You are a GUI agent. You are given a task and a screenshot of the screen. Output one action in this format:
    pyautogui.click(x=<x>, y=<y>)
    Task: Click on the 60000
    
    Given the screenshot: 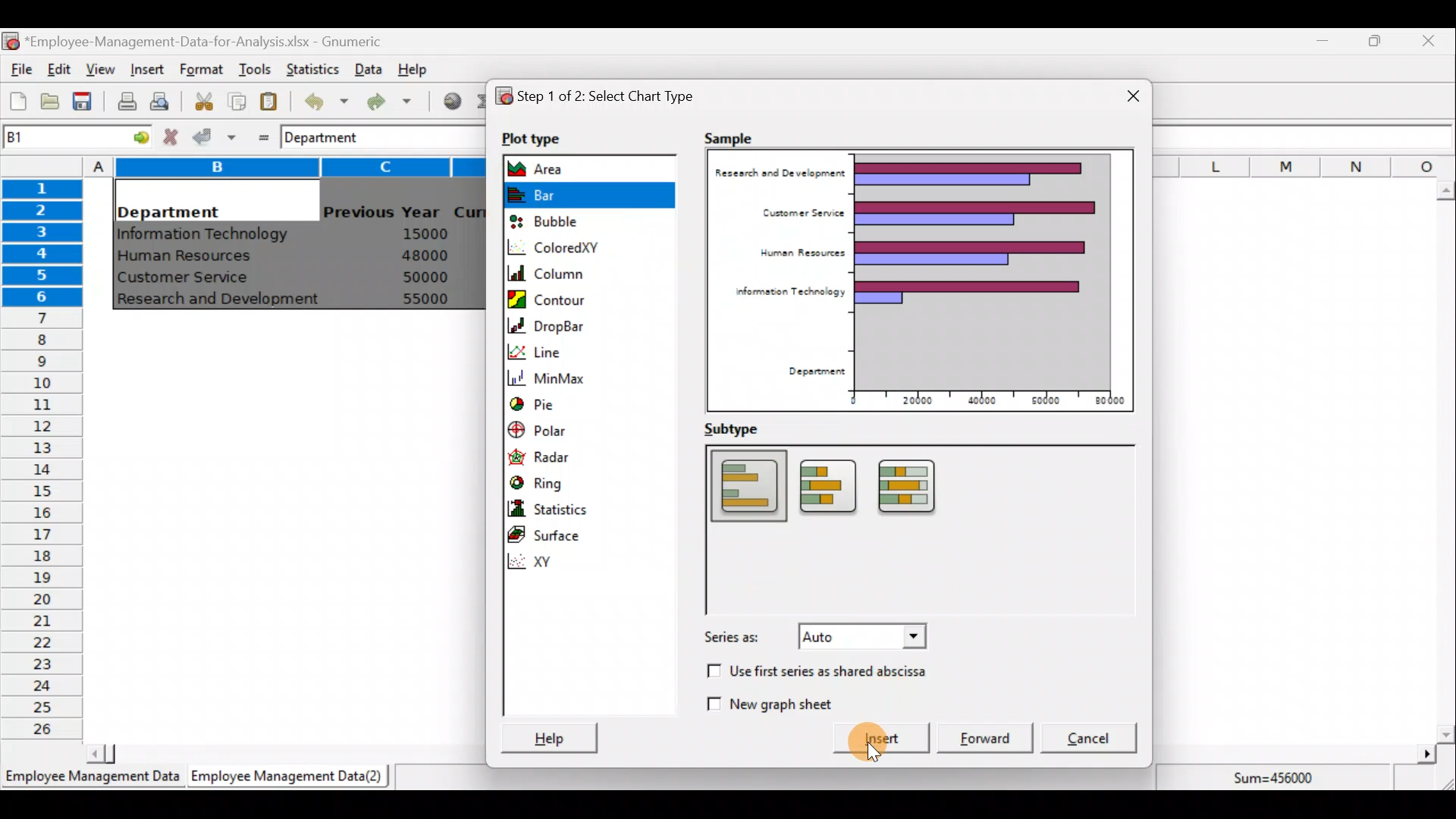 What is the action you would take?
    pyautogui.click(x=1041, y=400)
    